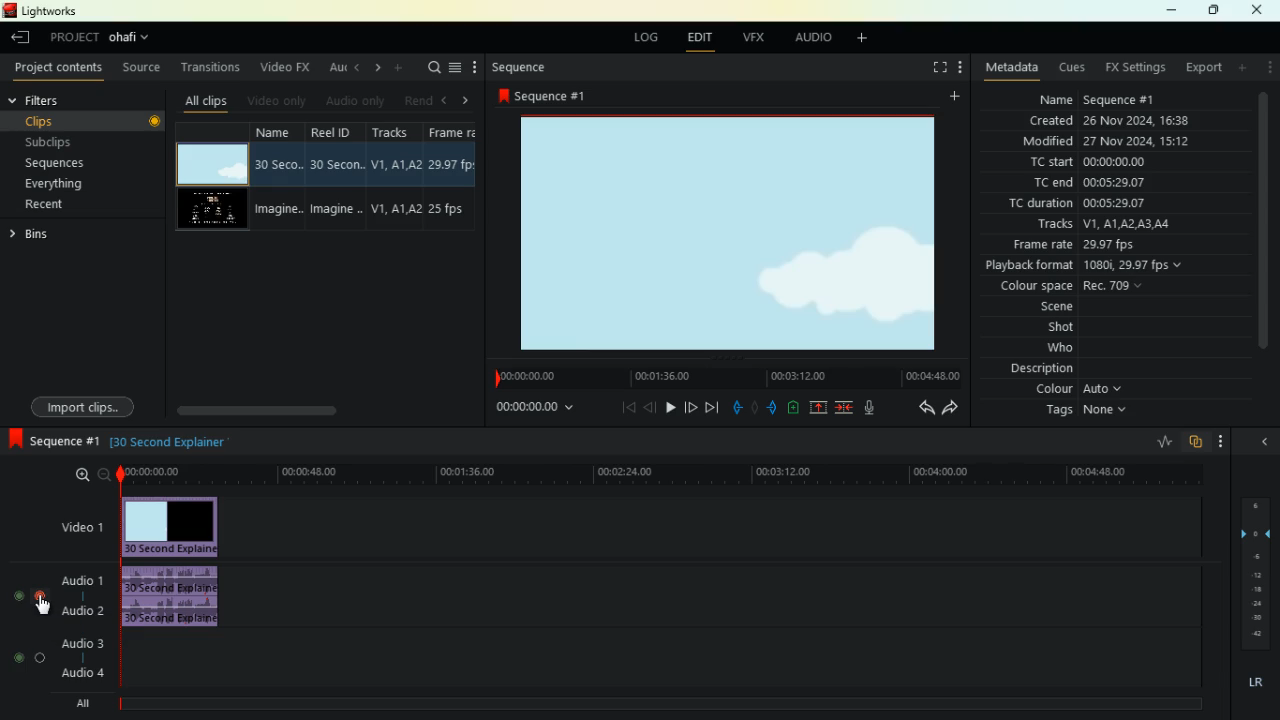  Describe the element at coordinates (357, 101) in the screenshot. I see `audio only` at that location.